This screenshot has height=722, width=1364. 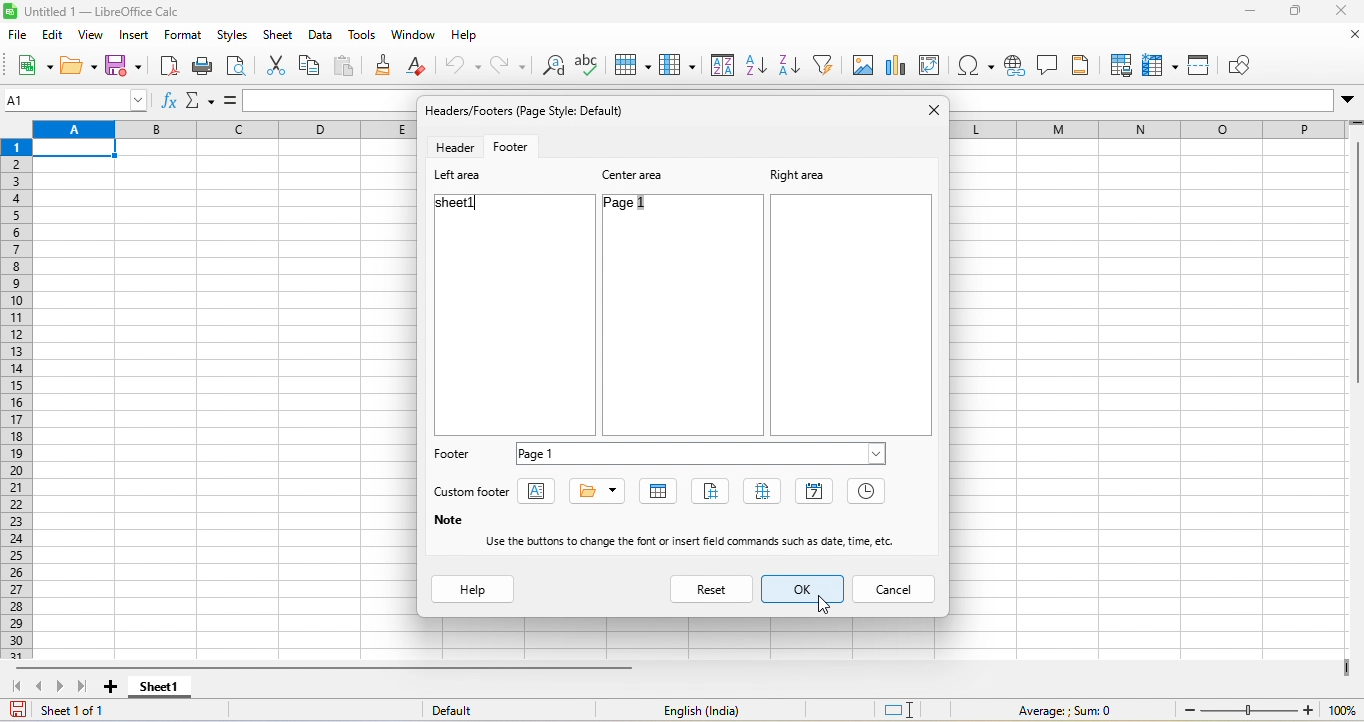 I want to click on use the buttons to change the text or insert field commands such as date,time etc., so click(x=699, y=541).